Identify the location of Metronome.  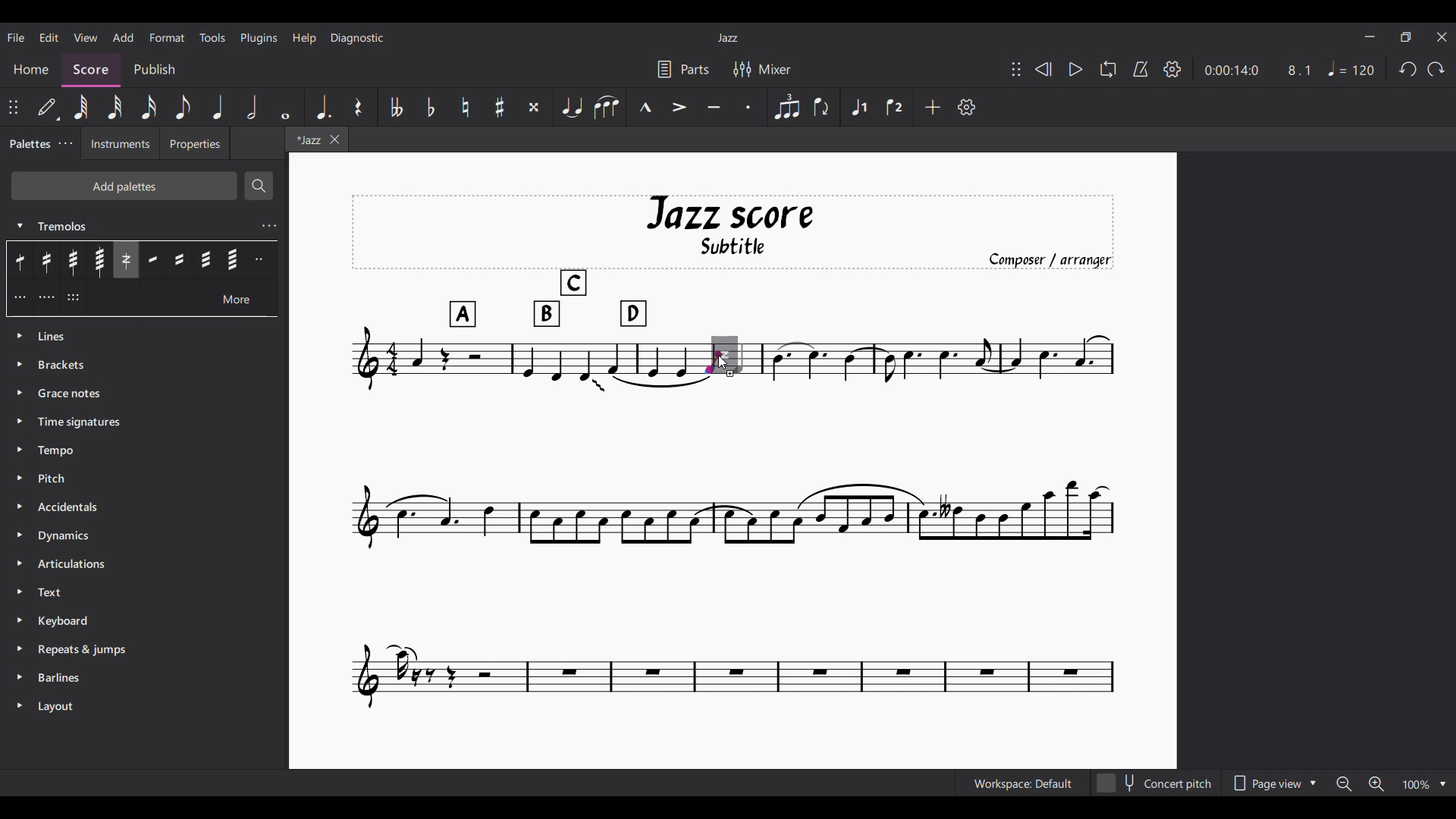
(1141, 69).